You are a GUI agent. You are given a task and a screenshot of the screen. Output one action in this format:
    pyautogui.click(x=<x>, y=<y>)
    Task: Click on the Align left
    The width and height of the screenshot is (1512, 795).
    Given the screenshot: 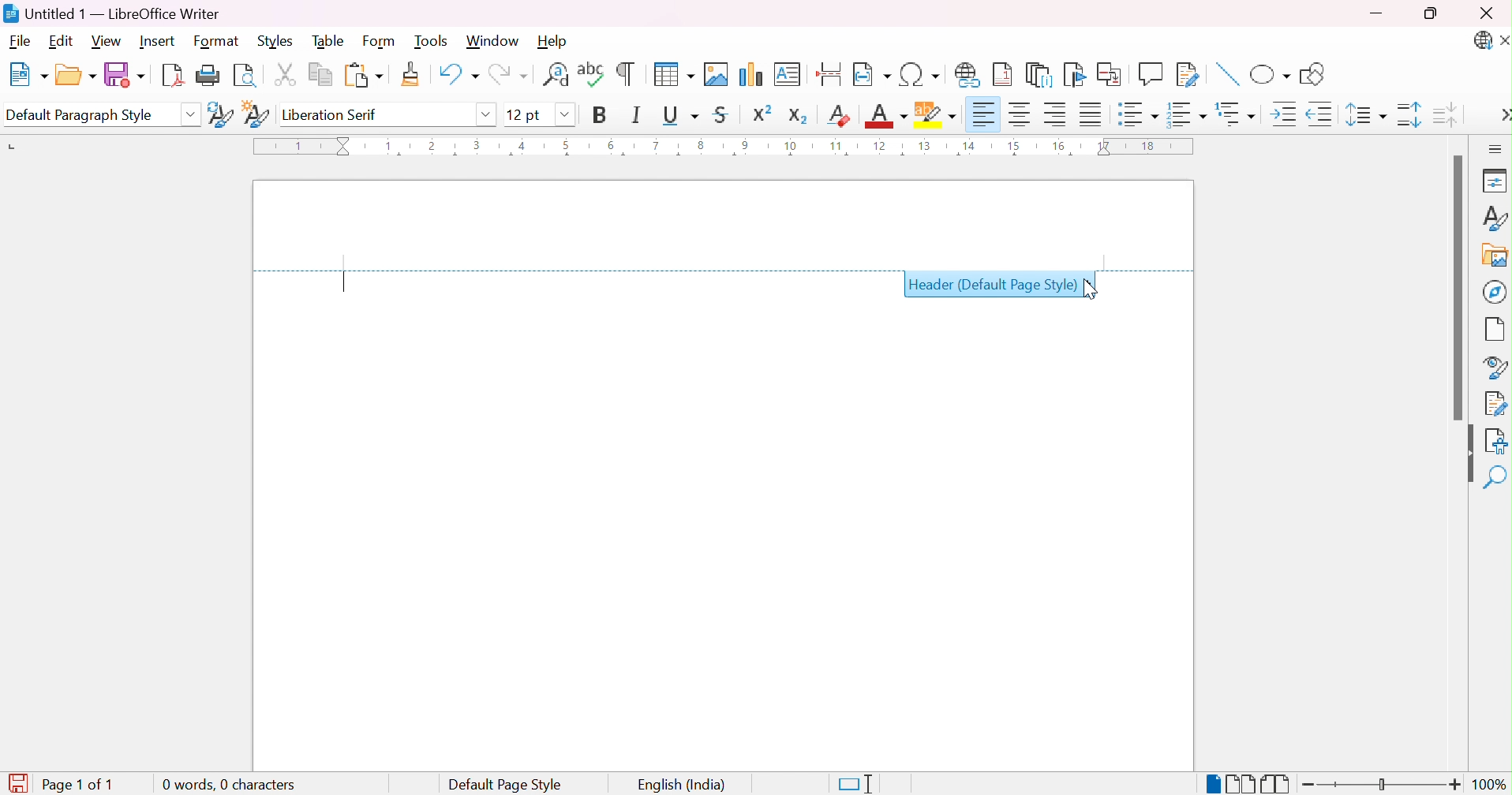 What is the action you would take?
    pyautogui.click(x=986, y=114)
    